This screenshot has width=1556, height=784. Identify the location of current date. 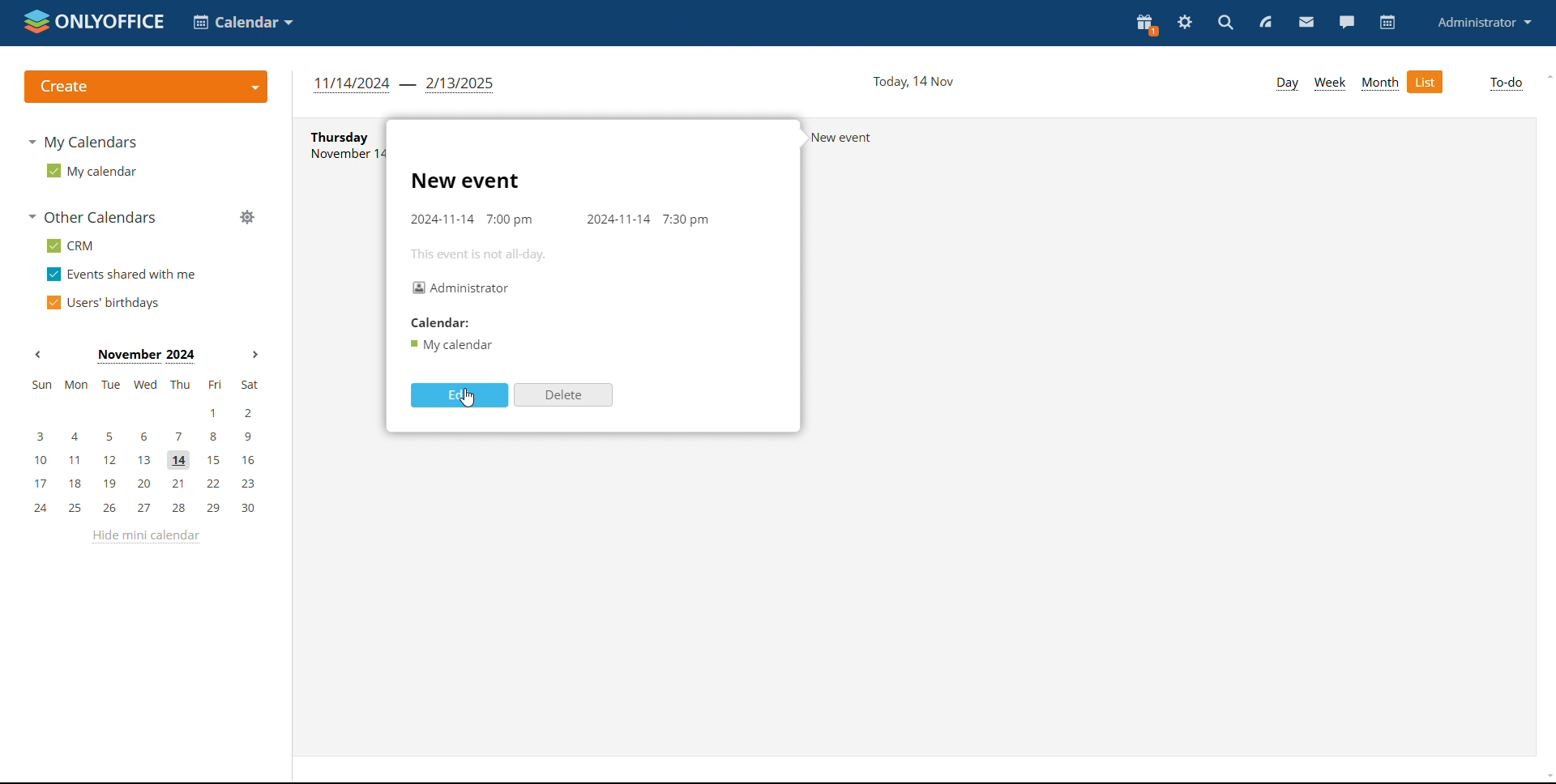
(912, 82).